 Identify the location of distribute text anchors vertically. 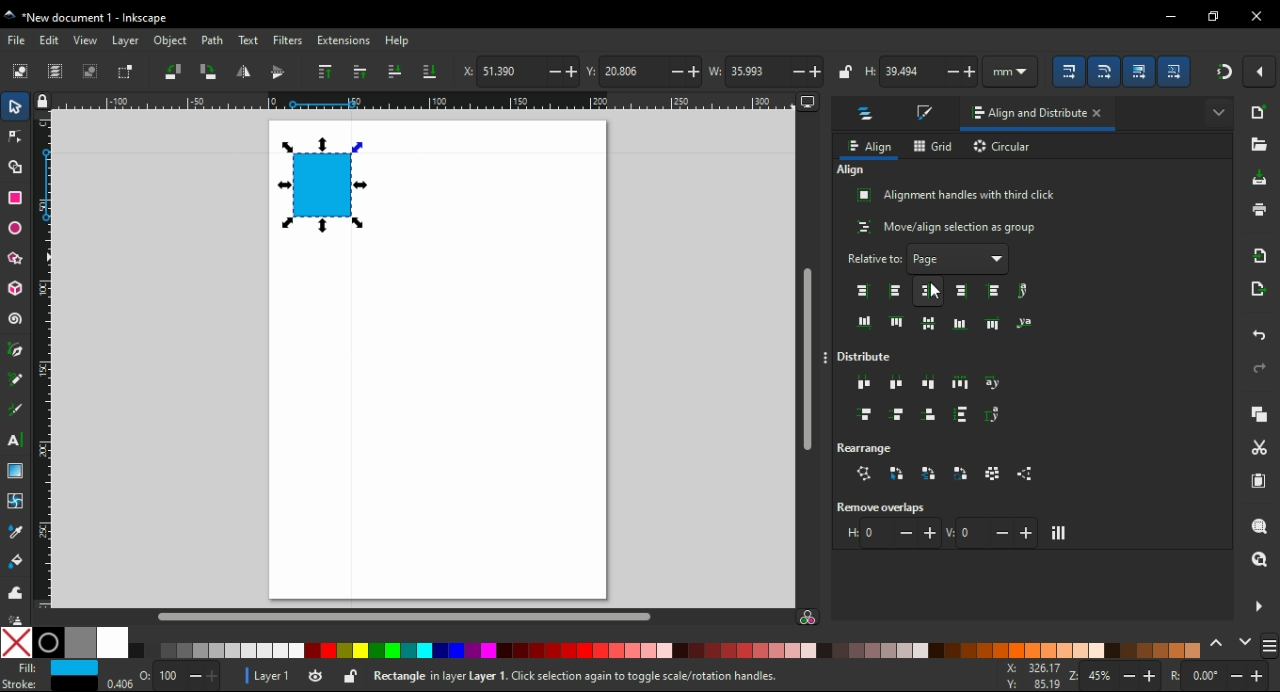
(998, 415).